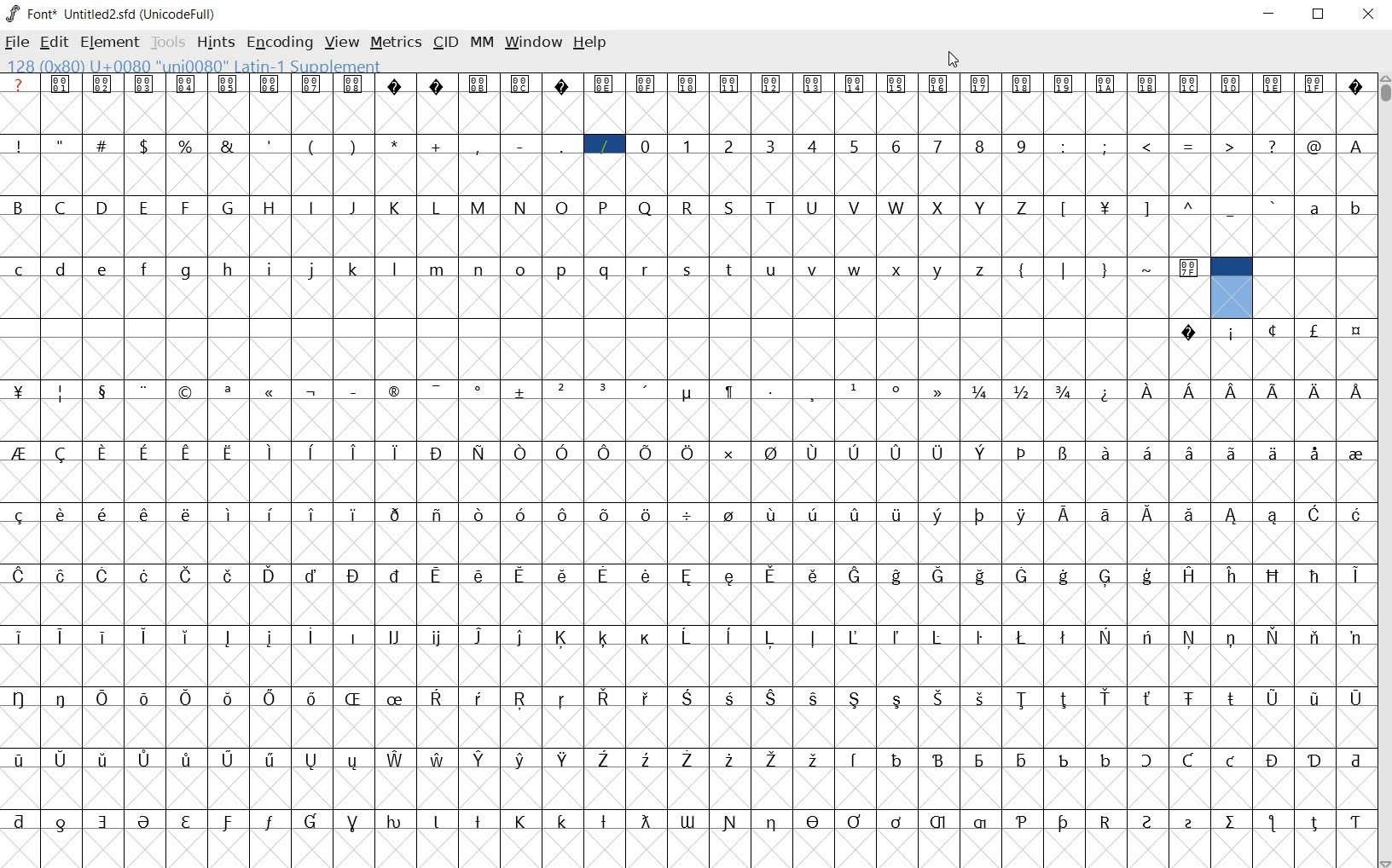 This screenshot has width=1392, height=868. Describe the element at coordinates (20, 85) in the screenshot. I see `?` at that location.